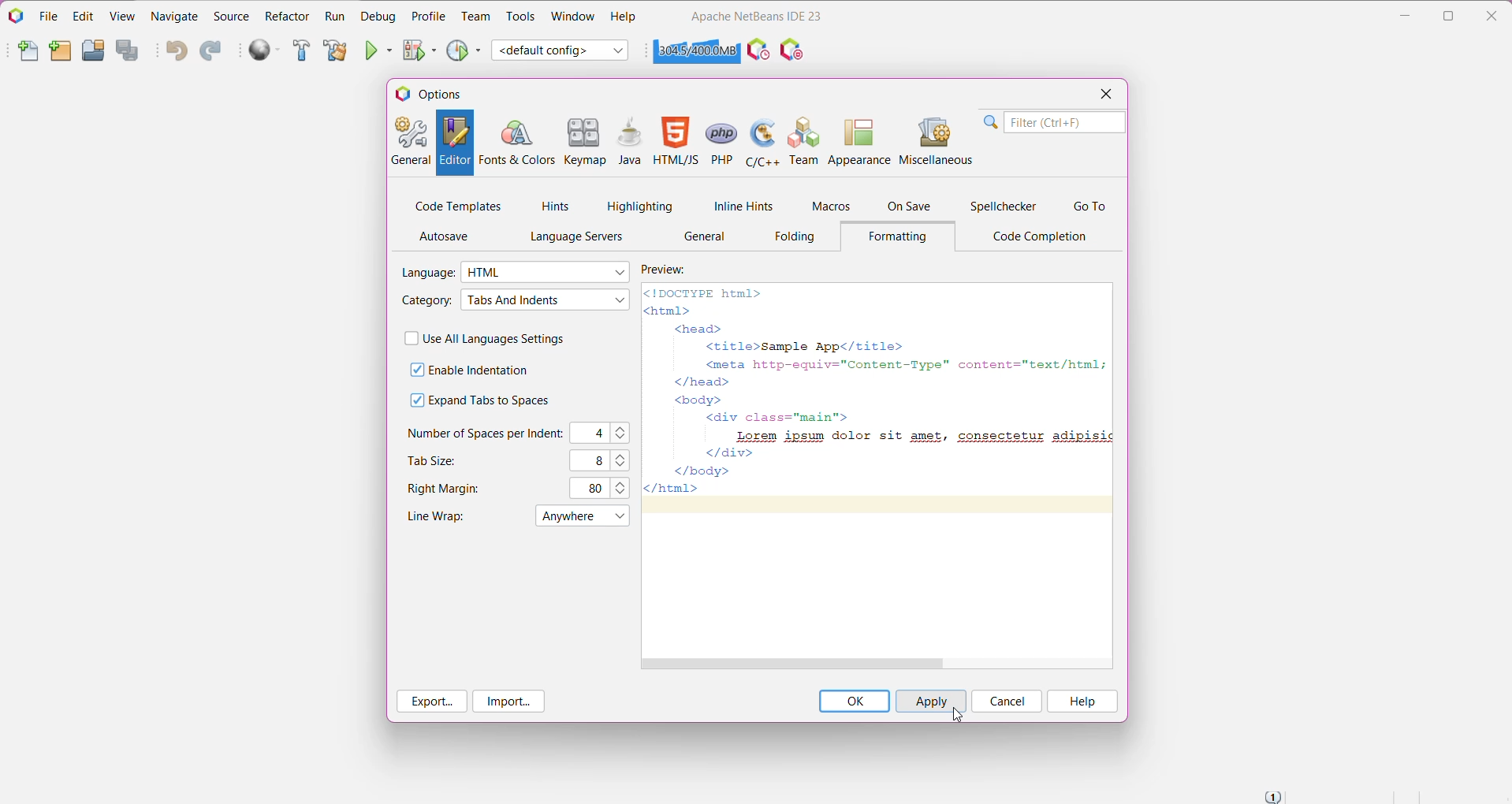  What do you see at coordinates (935, 140) in the screenshot?
I see `Miscellaneous` at bounding box center [935, 140].